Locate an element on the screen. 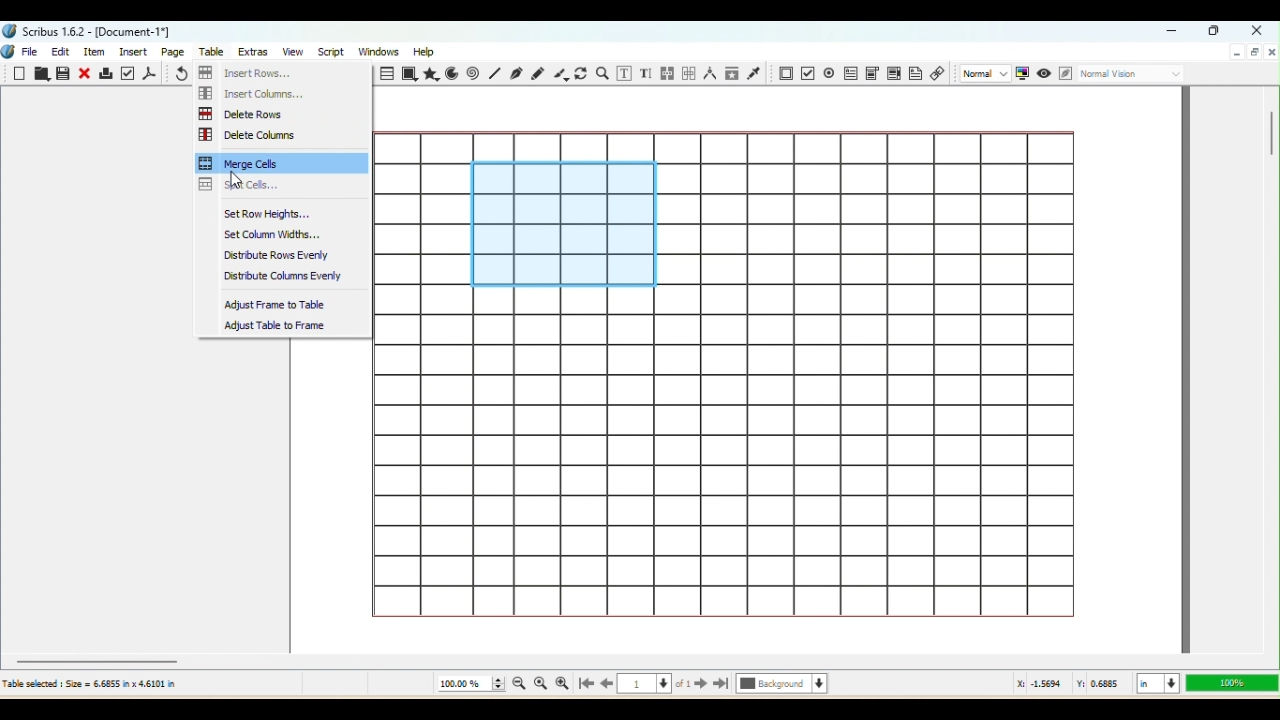 The height and width of the screenshot is (720, 1280). PDF check button is located at coordinates (829, 72).